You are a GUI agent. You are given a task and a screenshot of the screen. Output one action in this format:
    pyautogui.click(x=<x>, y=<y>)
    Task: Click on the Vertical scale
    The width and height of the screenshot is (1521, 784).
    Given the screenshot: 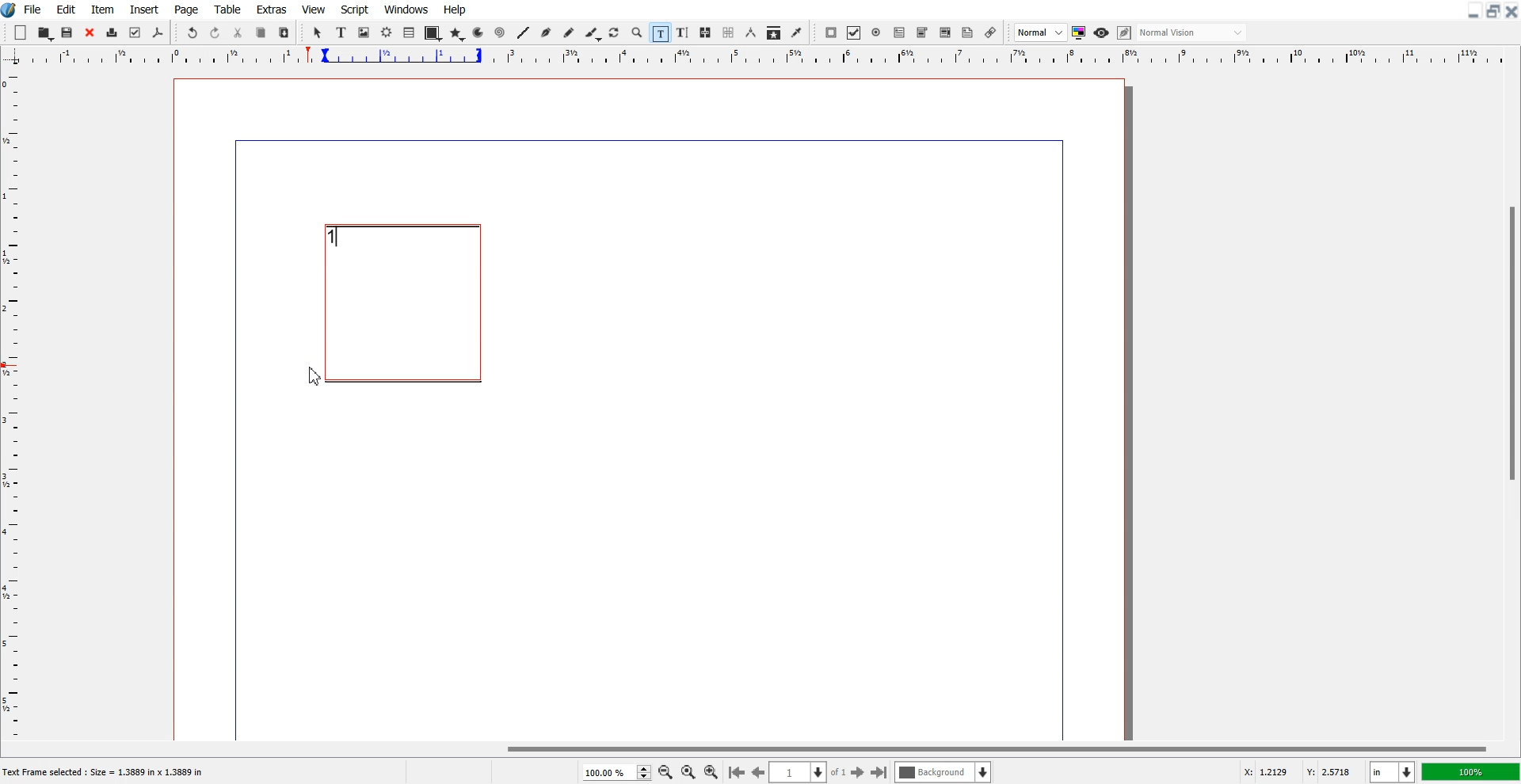 What is the action you would take?
    pyautogui.click(x=11, y=393)
    